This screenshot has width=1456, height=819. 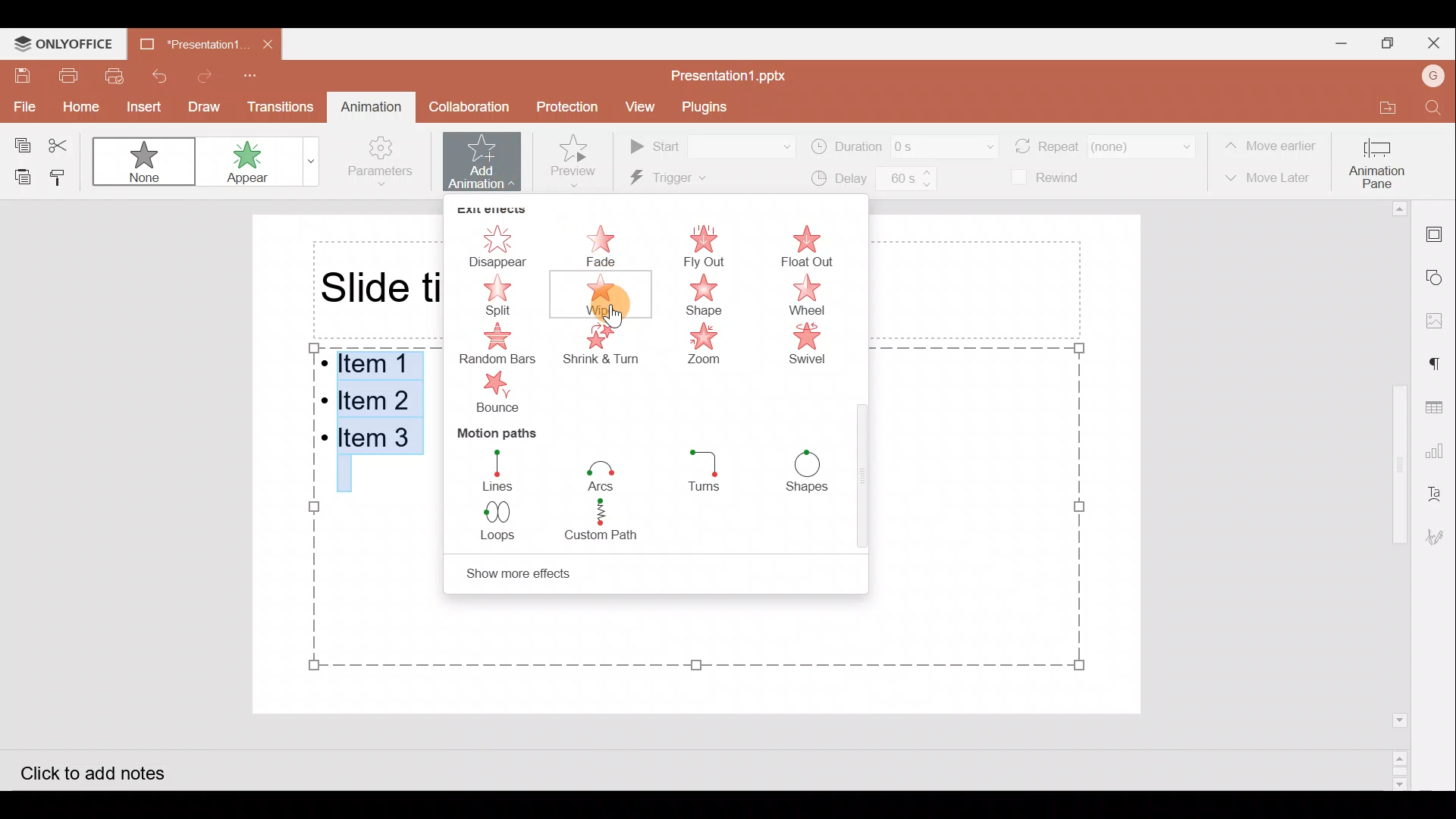 What do you see at coordinates (375, 398) in the screenshot?
I see `Bulleted Item 2 on the presentation slide` at bounding box center [375, 398].